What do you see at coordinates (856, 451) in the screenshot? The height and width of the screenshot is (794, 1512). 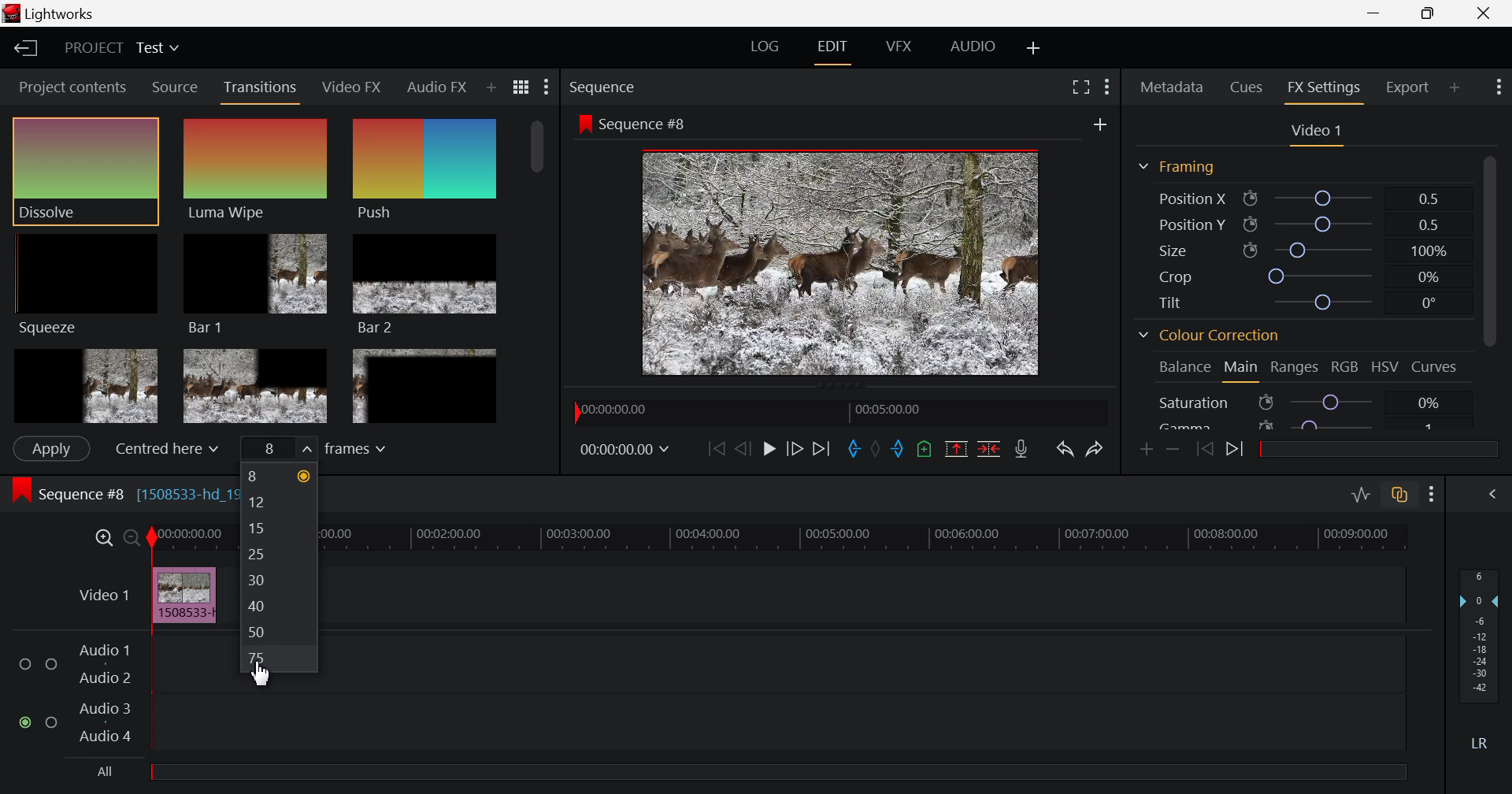 I see `Mark In` at bounding box center [856, 451].